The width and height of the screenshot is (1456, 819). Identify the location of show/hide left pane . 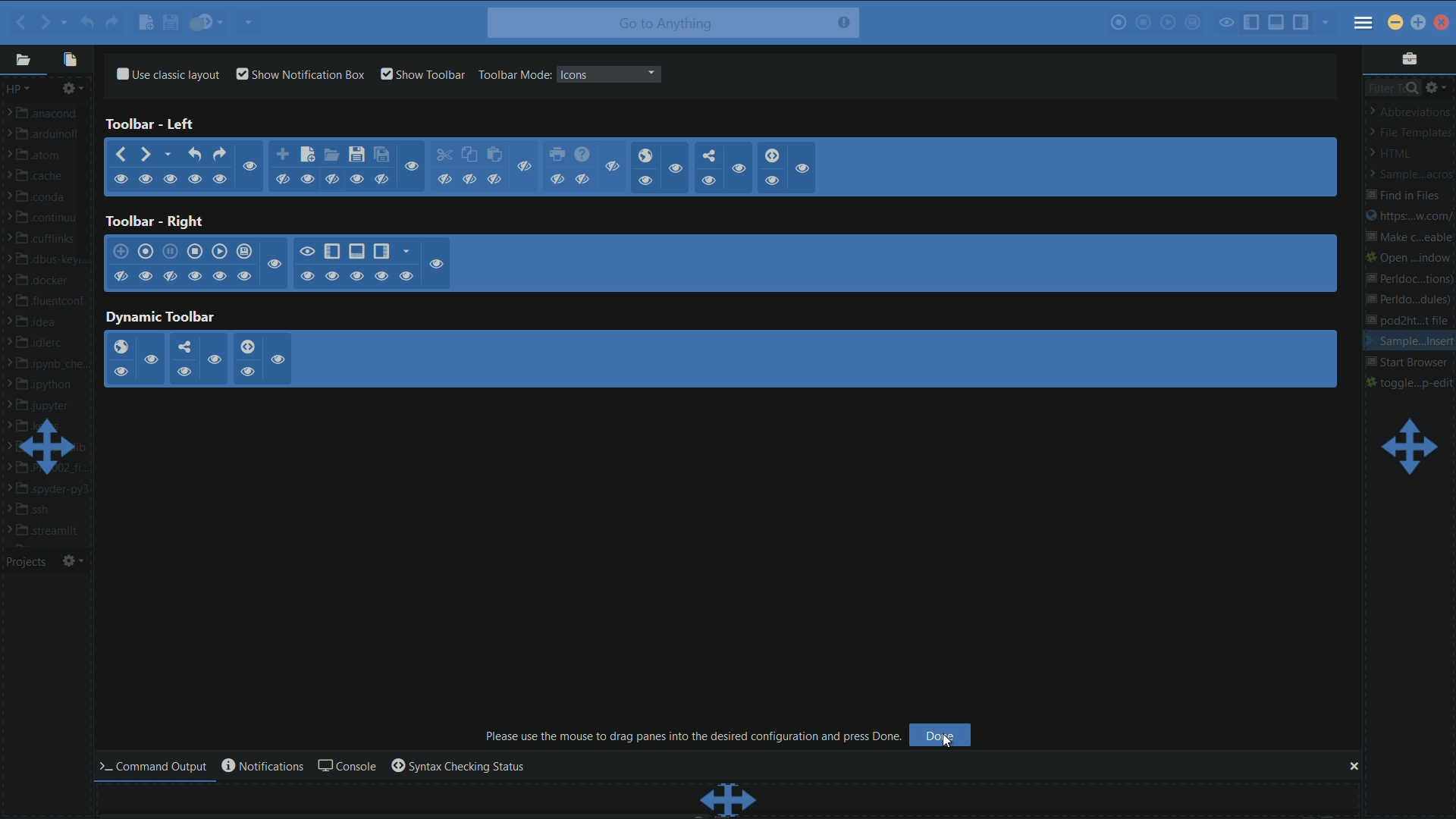
(1252, 21).